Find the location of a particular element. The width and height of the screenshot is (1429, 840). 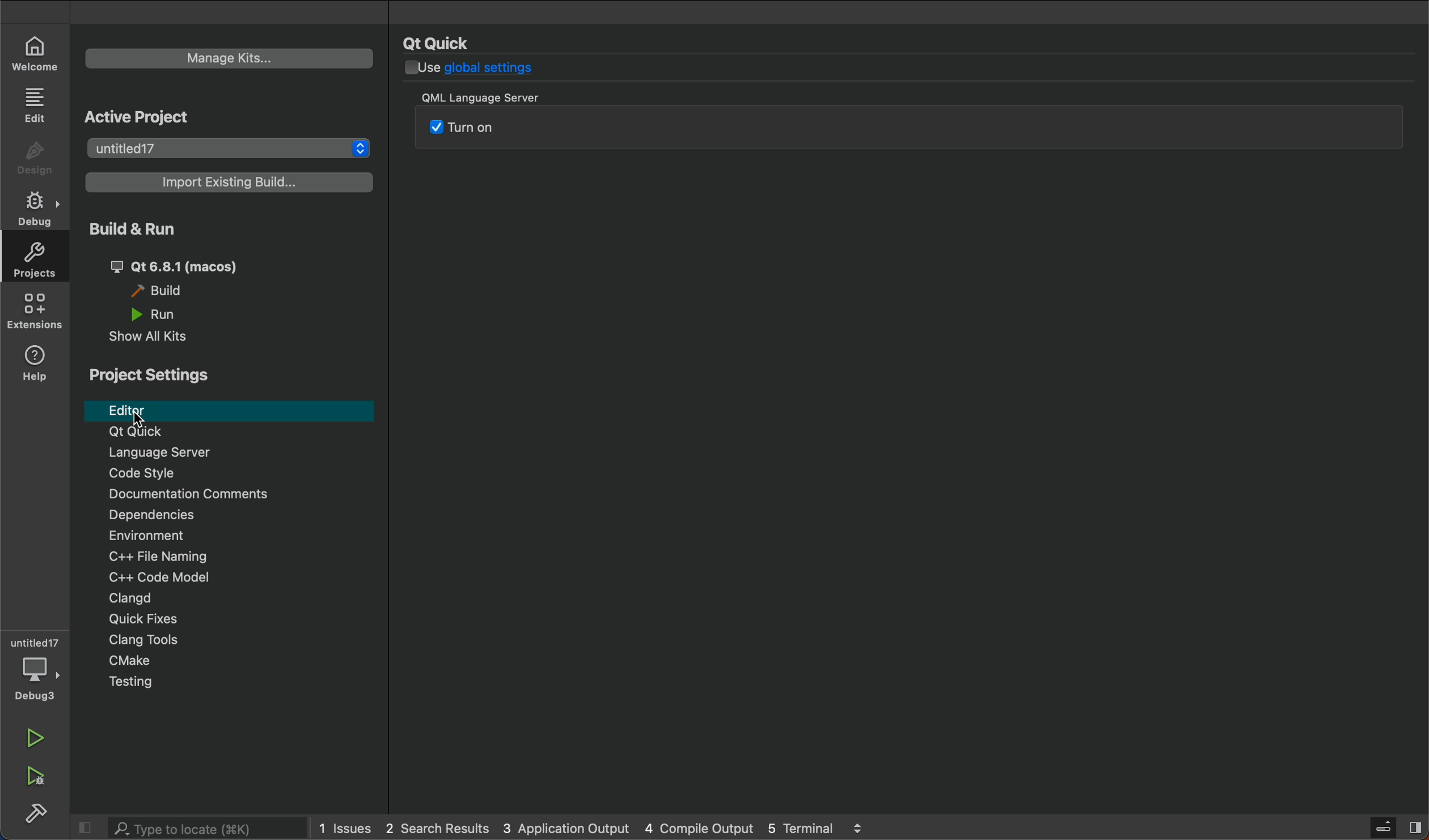

search is located at coordinates (196, 827).